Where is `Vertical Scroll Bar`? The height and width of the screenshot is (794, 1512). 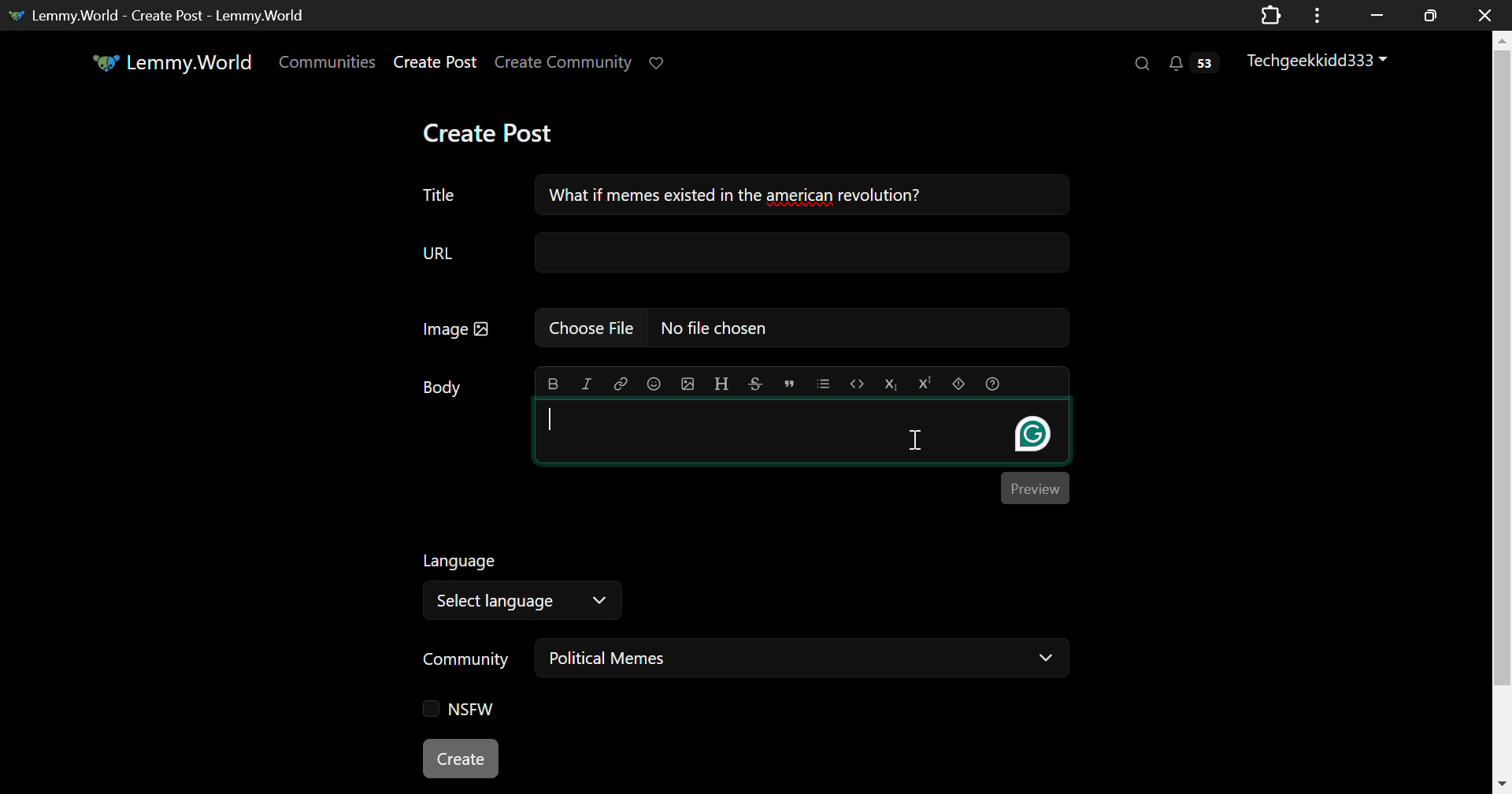 Vertical Scroll Bar is located at coordinates (1501, 415).